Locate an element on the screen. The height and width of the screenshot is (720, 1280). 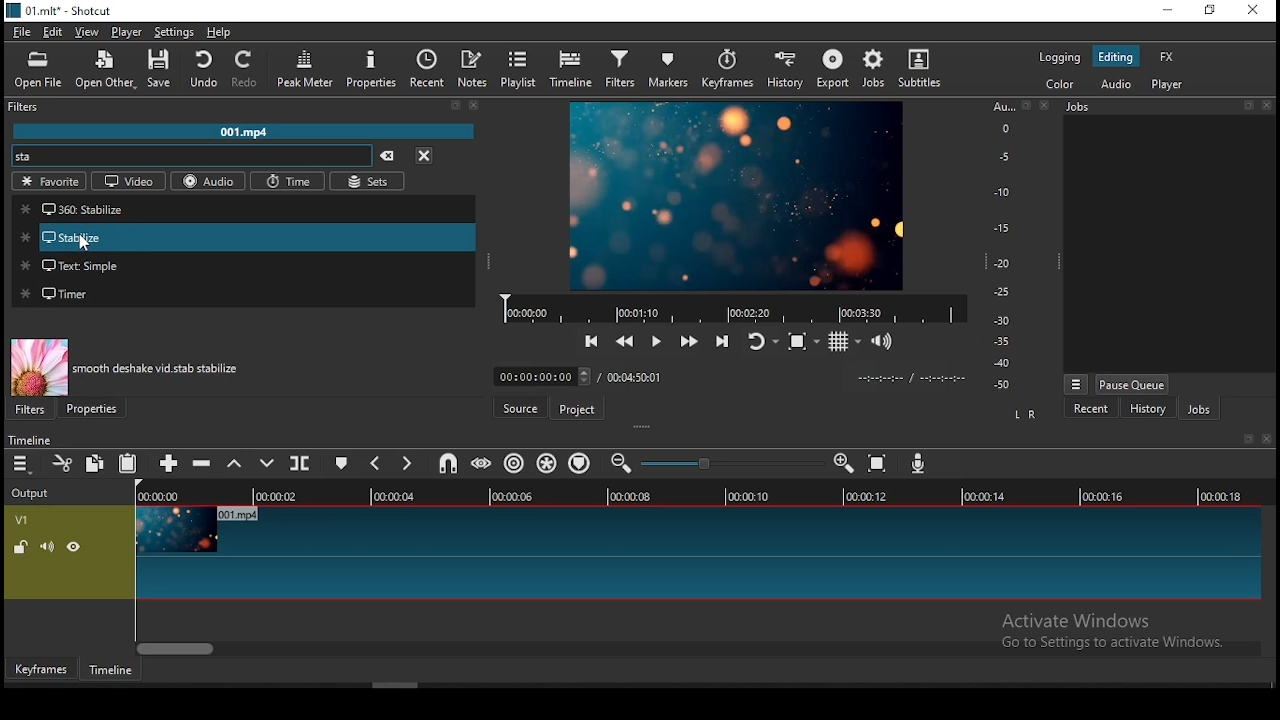
drag is located at coordinates (492, 263).